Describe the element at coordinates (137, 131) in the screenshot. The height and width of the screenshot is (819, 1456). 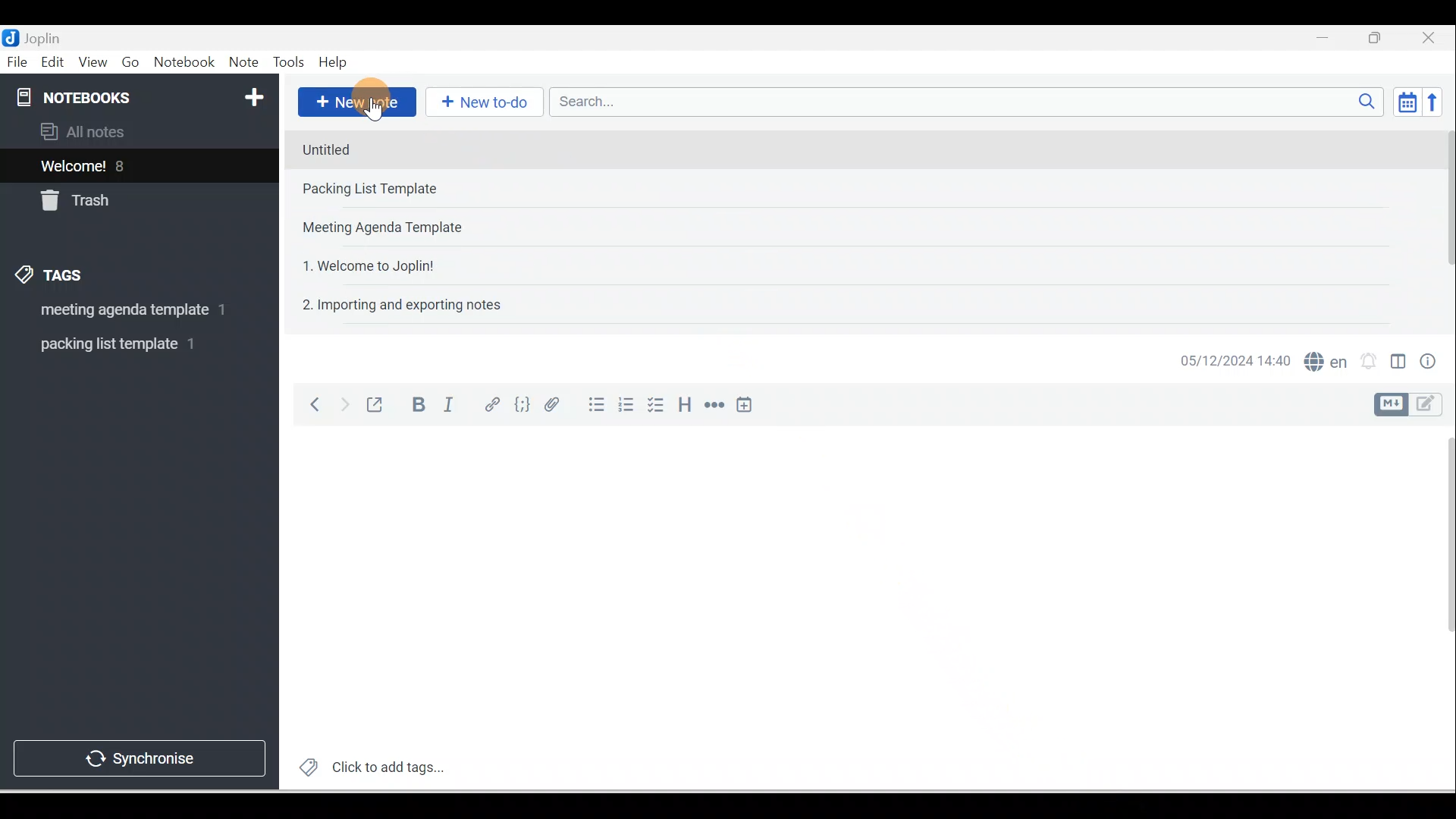
I see `All notes` at that location.